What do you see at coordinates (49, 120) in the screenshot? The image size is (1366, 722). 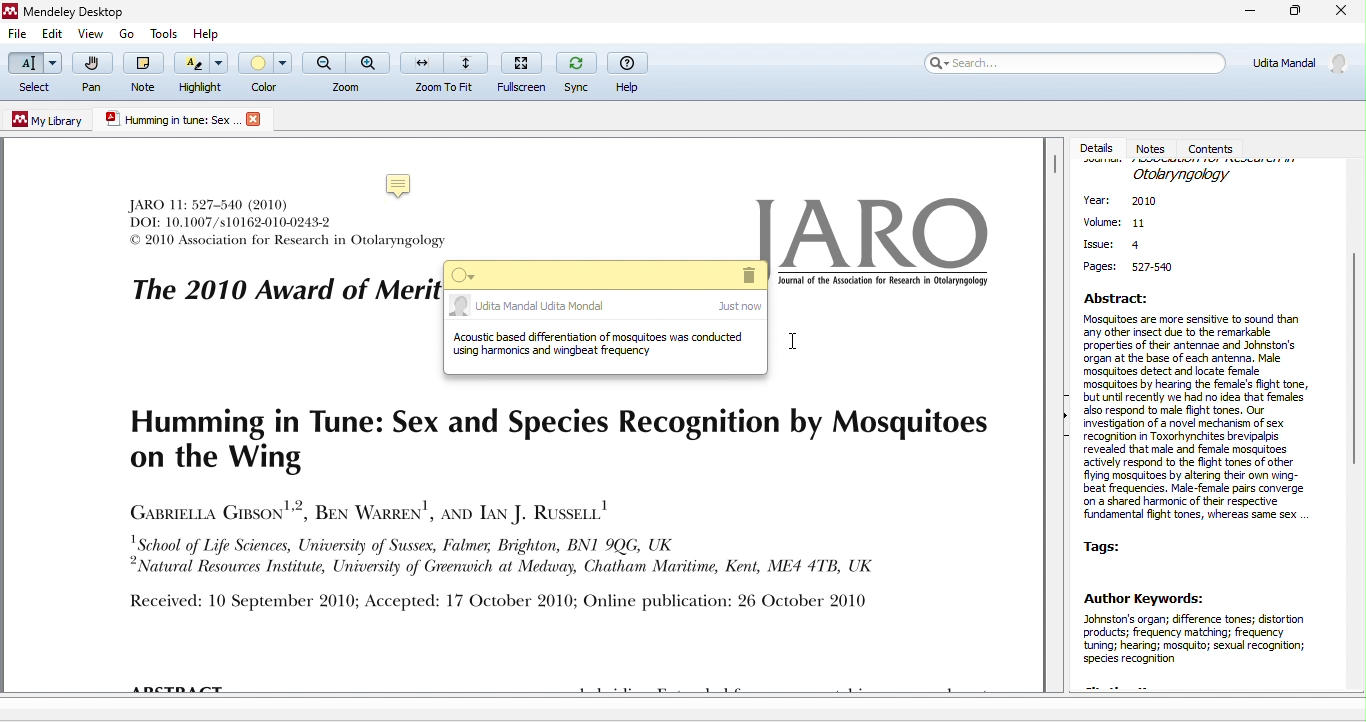 I see `my library` at bounding box center [49, 120].